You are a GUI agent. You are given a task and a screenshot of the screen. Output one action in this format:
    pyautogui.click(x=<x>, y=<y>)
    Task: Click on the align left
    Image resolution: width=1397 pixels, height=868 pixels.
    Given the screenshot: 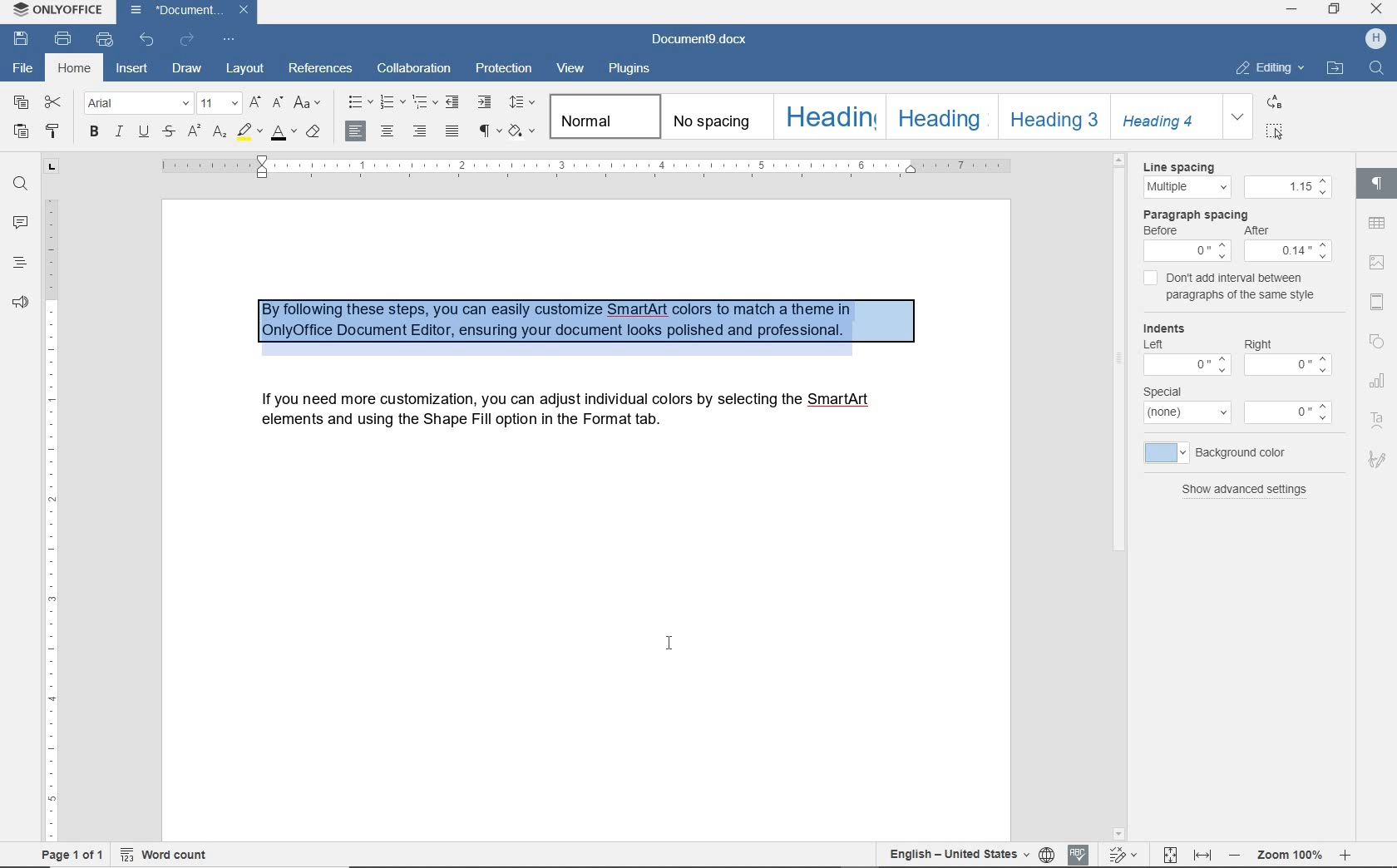 What is the action you would take?
    pyautogui.click(x=357, y=130)
    